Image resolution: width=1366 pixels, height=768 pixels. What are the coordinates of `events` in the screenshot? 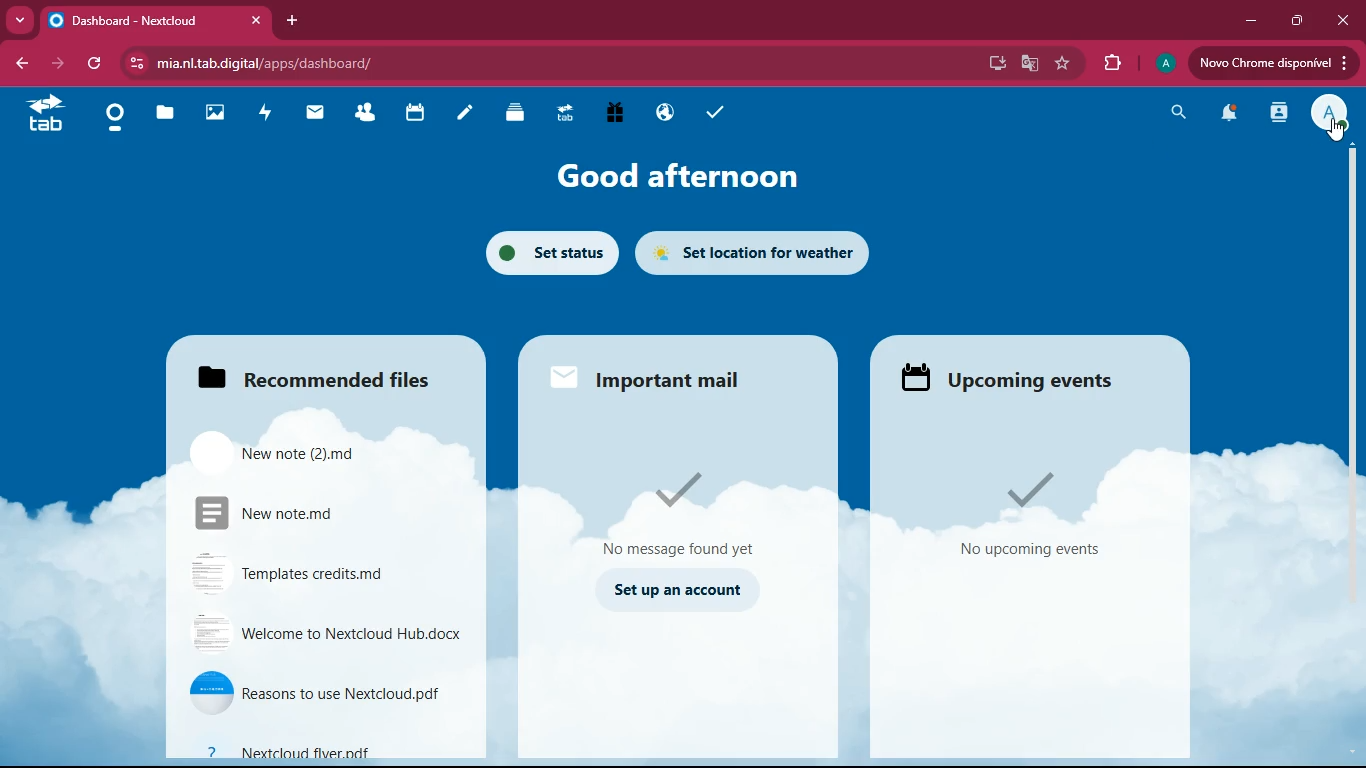 It's located at (1036, 517).